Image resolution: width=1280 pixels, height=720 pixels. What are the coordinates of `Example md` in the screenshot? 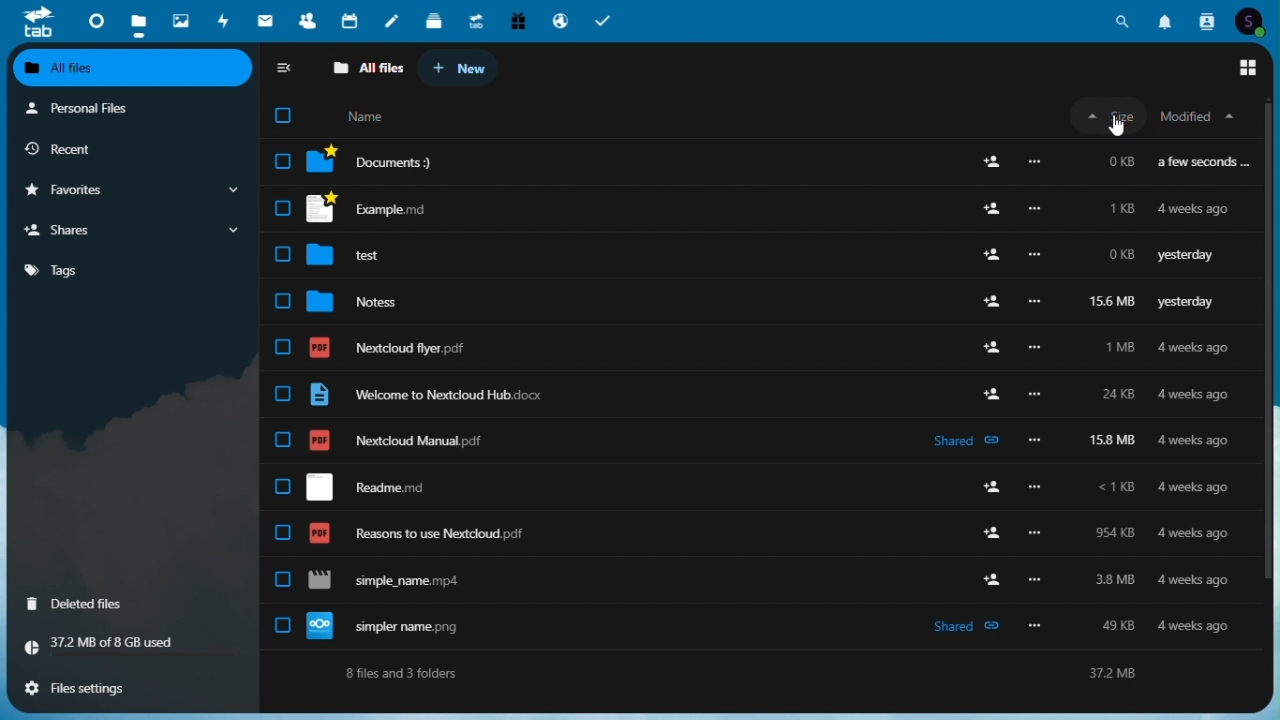 It's located at (756, 207).